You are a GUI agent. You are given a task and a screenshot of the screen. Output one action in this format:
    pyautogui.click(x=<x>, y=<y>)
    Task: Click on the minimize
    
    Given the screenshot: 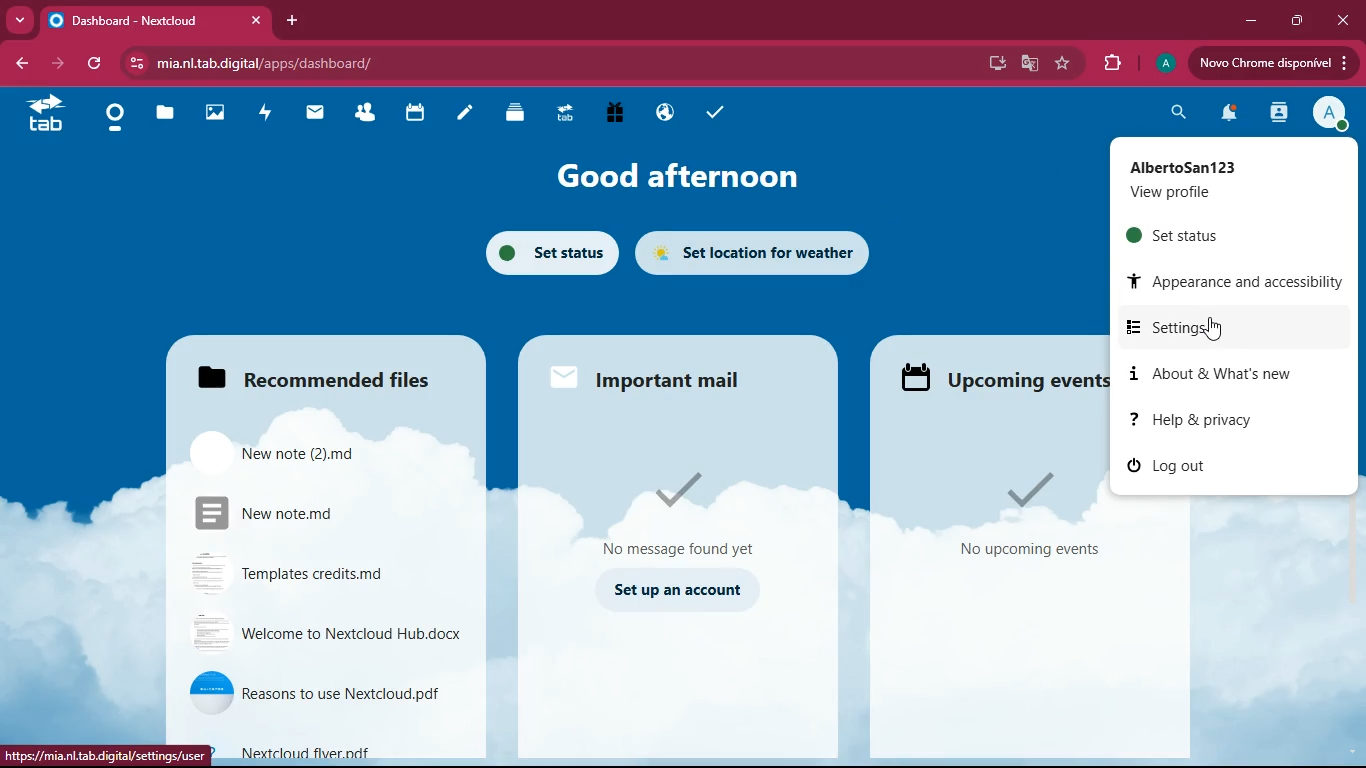 What is the action you would take?
    pyautogui.click(x=1247, y=25)
    